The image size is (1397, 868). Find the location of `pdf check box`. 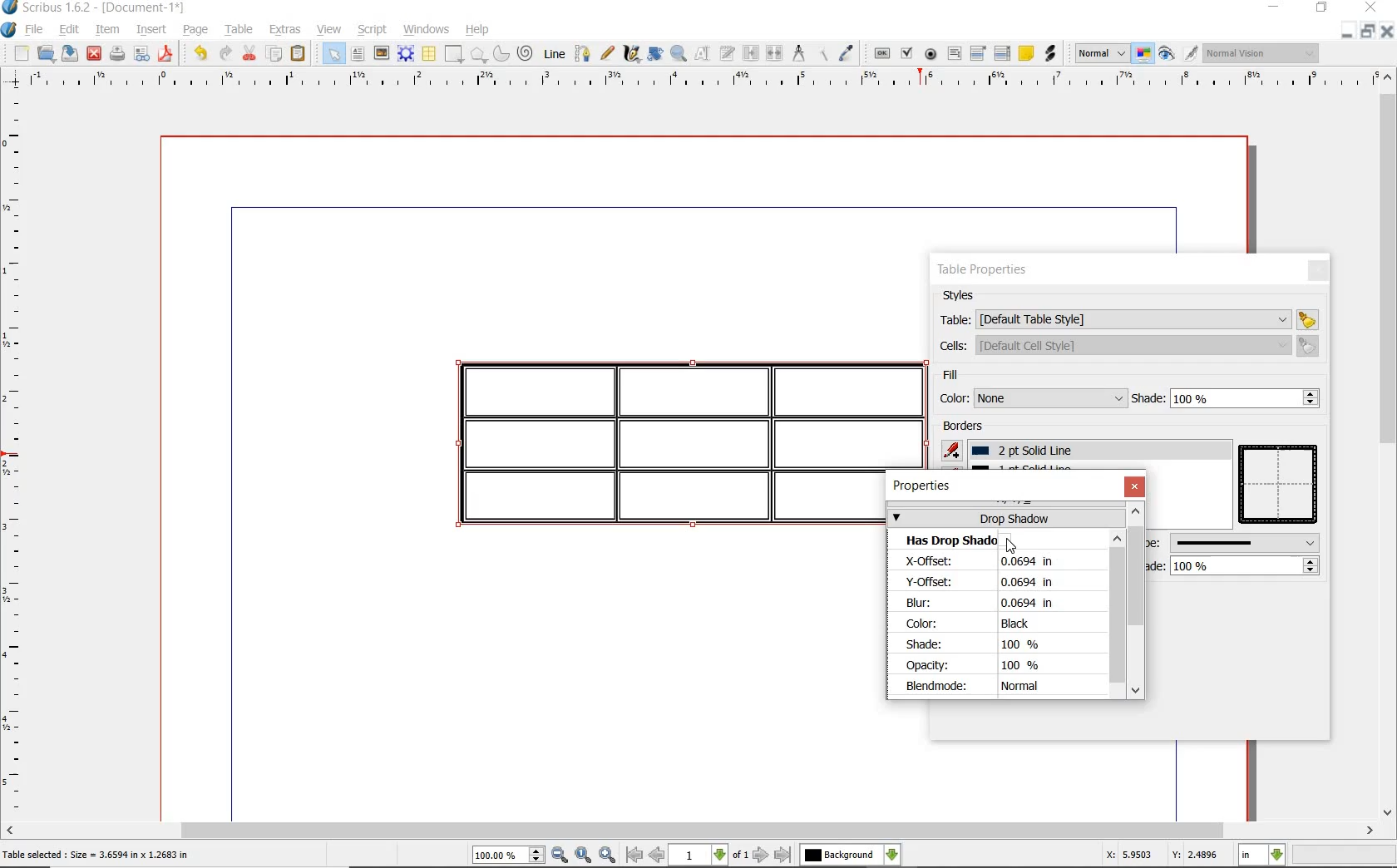

pdf check box is located at coordinates (908, 55).